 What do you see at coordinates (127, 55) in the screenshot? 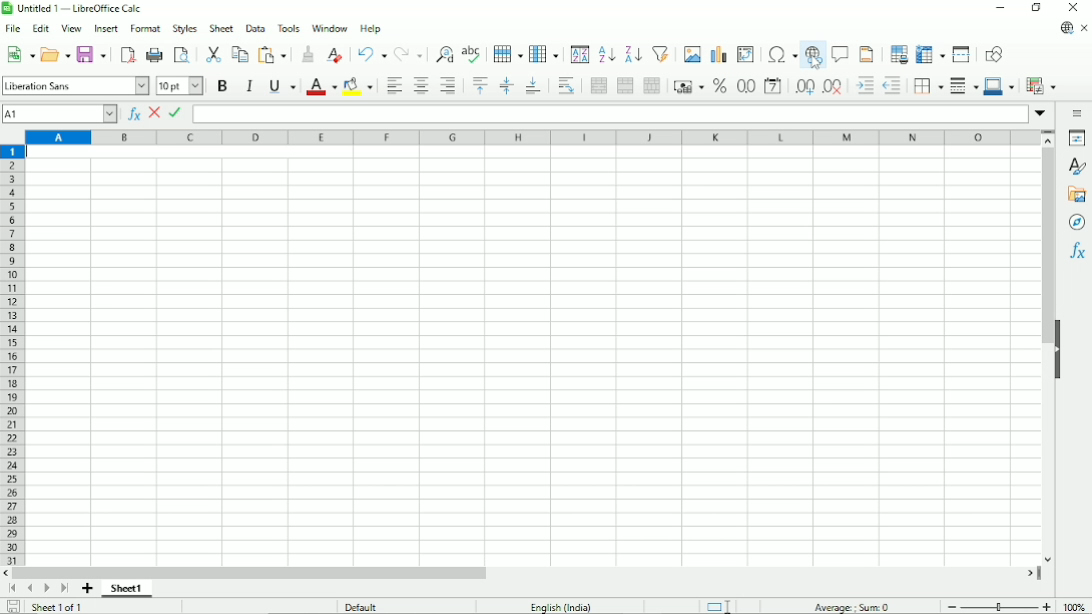
I see `Export directly as PDF` at bounding box center [127, 55].